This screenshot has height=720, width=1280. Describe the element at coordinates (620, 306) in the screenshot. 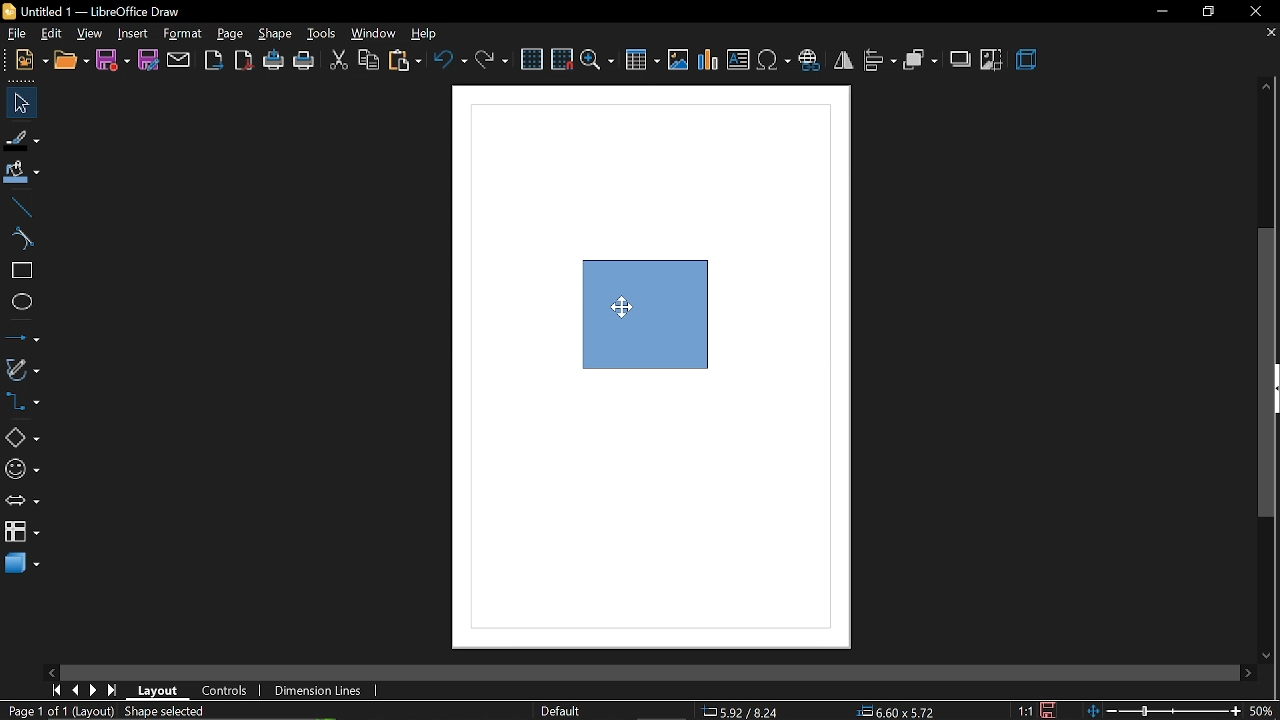

I see `Cursor` at that location.